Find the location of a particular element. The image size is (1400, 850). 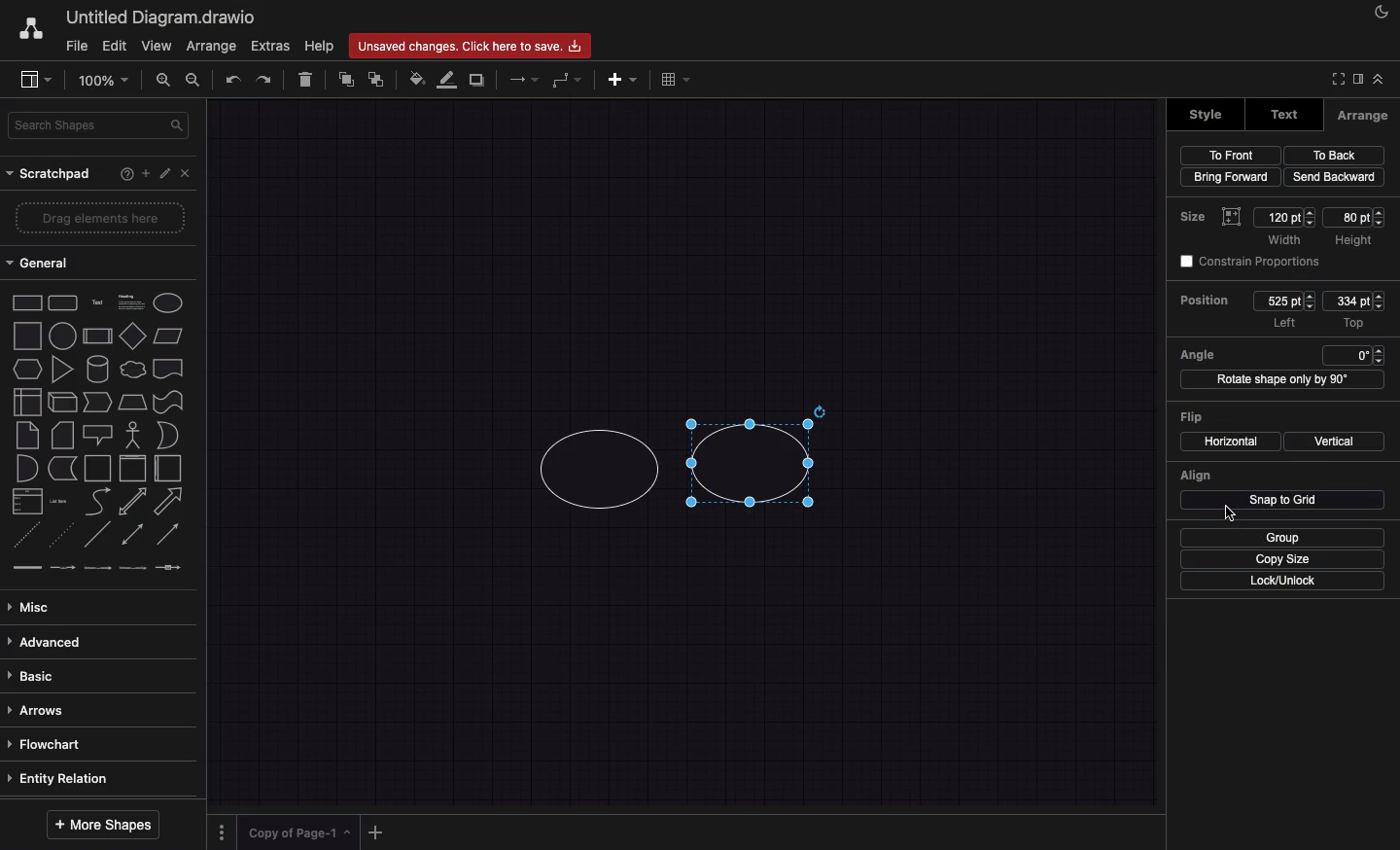

arrows is located at coordinates (92, 712).